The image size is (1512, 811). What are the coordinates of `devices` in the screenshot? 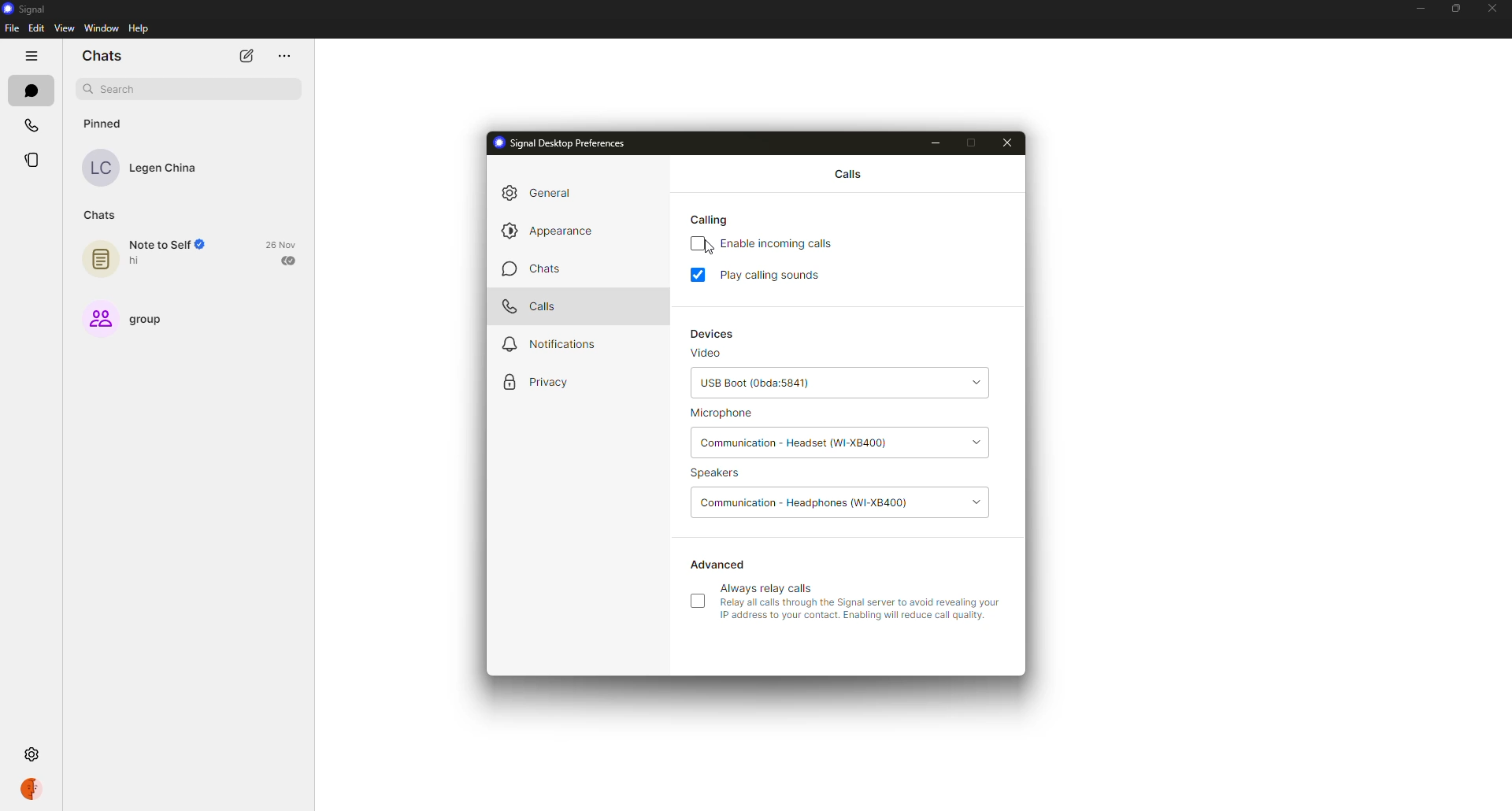 It's located at (719, 332).